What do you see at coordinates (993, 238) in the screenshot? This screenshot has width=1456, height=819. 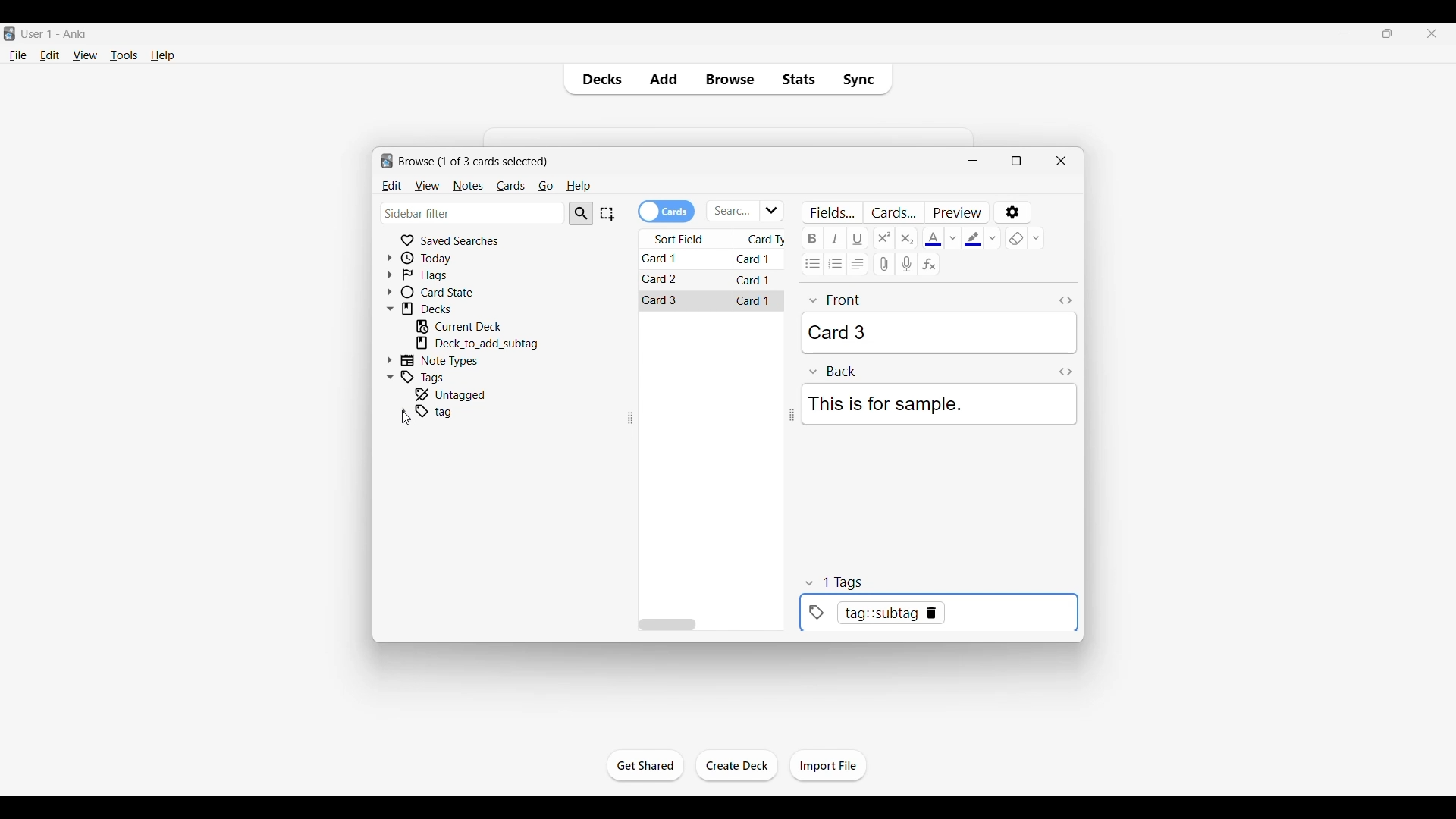 I see `Text highlight color options` at bounding box center [993, 238].